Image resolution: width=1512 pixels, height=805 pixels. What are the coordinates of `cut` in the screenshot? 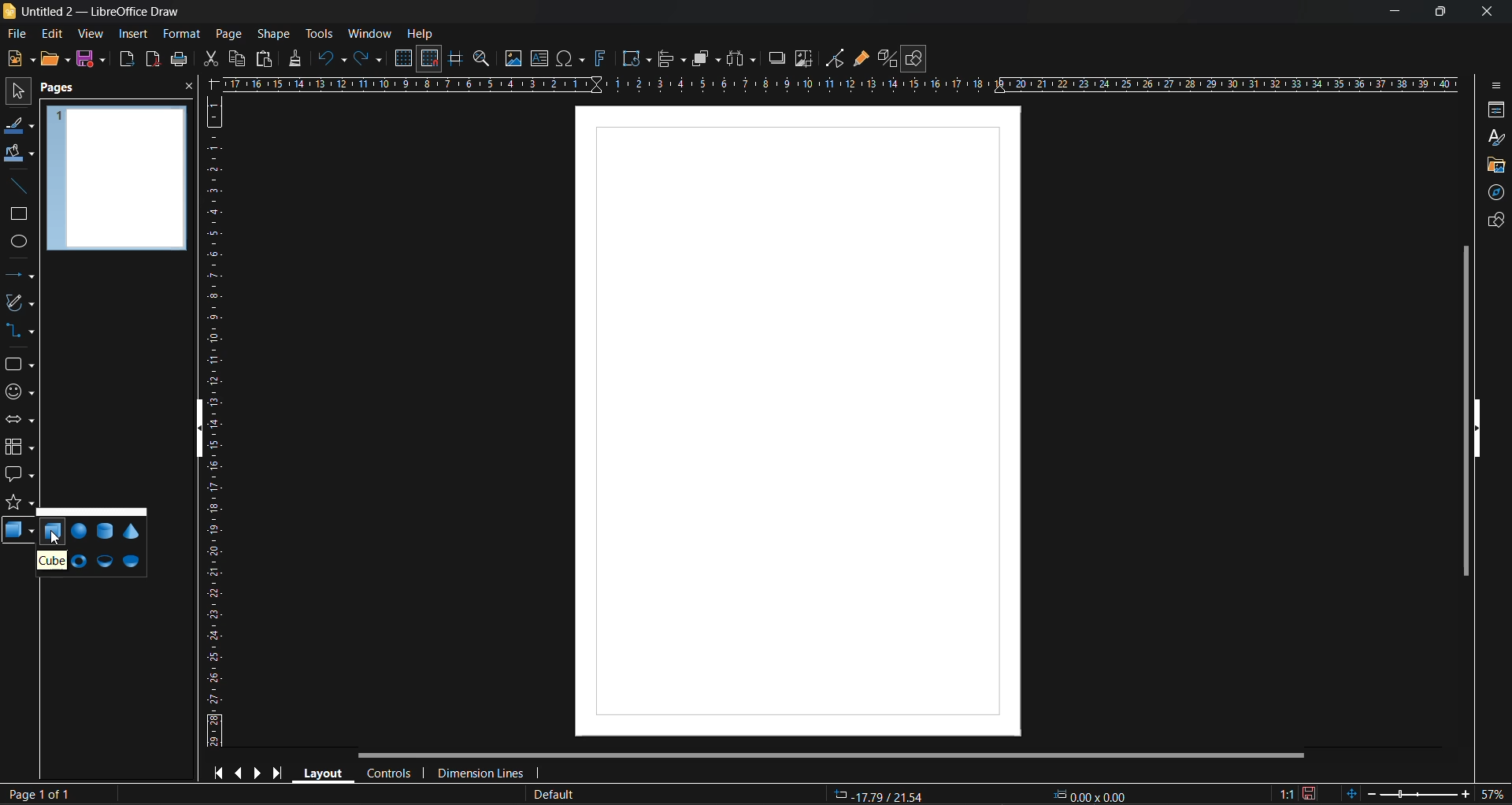 It's located at (213, 60).